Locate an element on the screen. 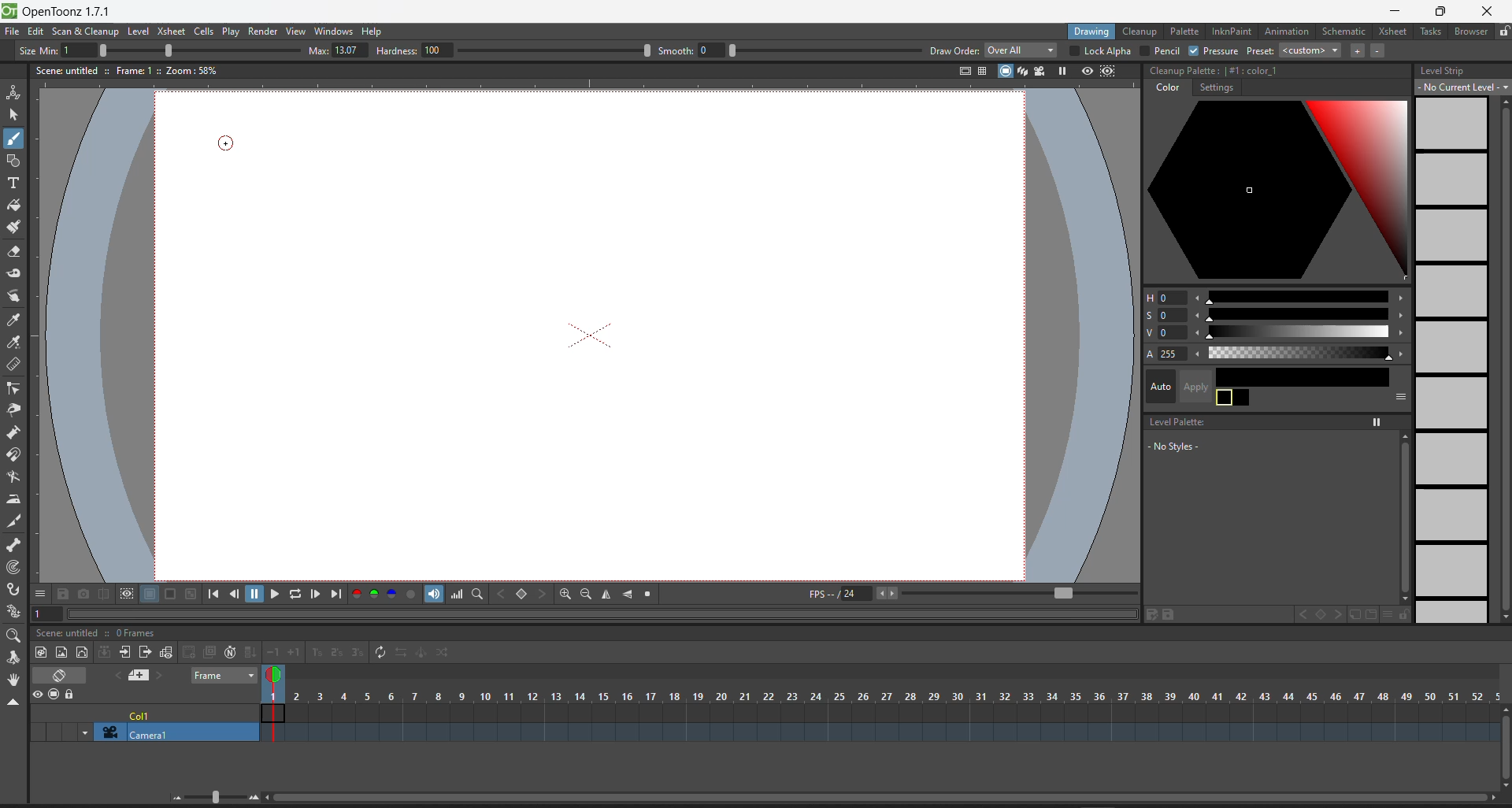 This screenshot has height=808, width=1512. close sub x-sheet is located at coordinates (145, 652).